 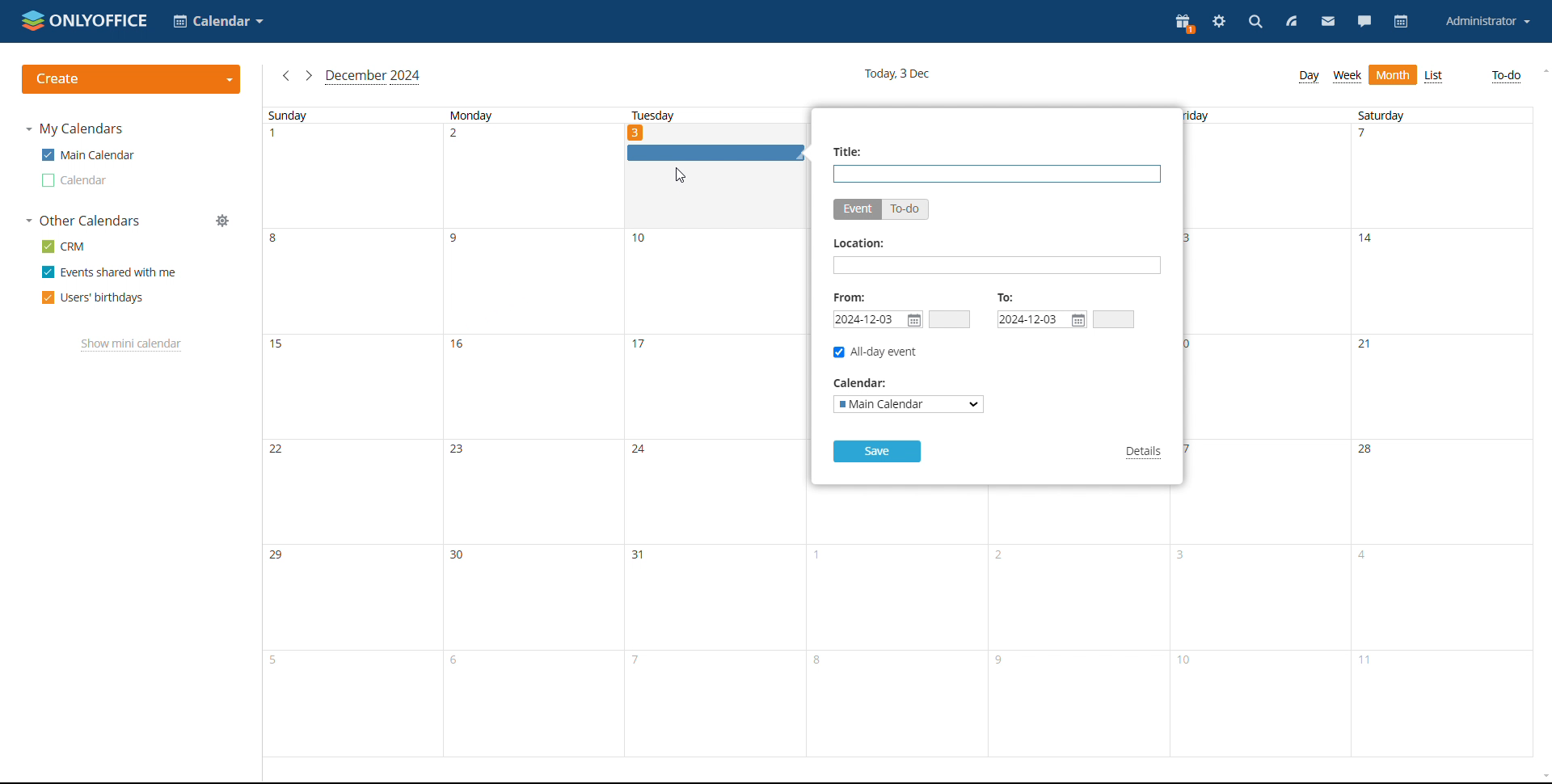 What do you see at coordinates (875, 352) in the screenshot?
I see `all-day event checkbox` at bounding box center [875, 352].